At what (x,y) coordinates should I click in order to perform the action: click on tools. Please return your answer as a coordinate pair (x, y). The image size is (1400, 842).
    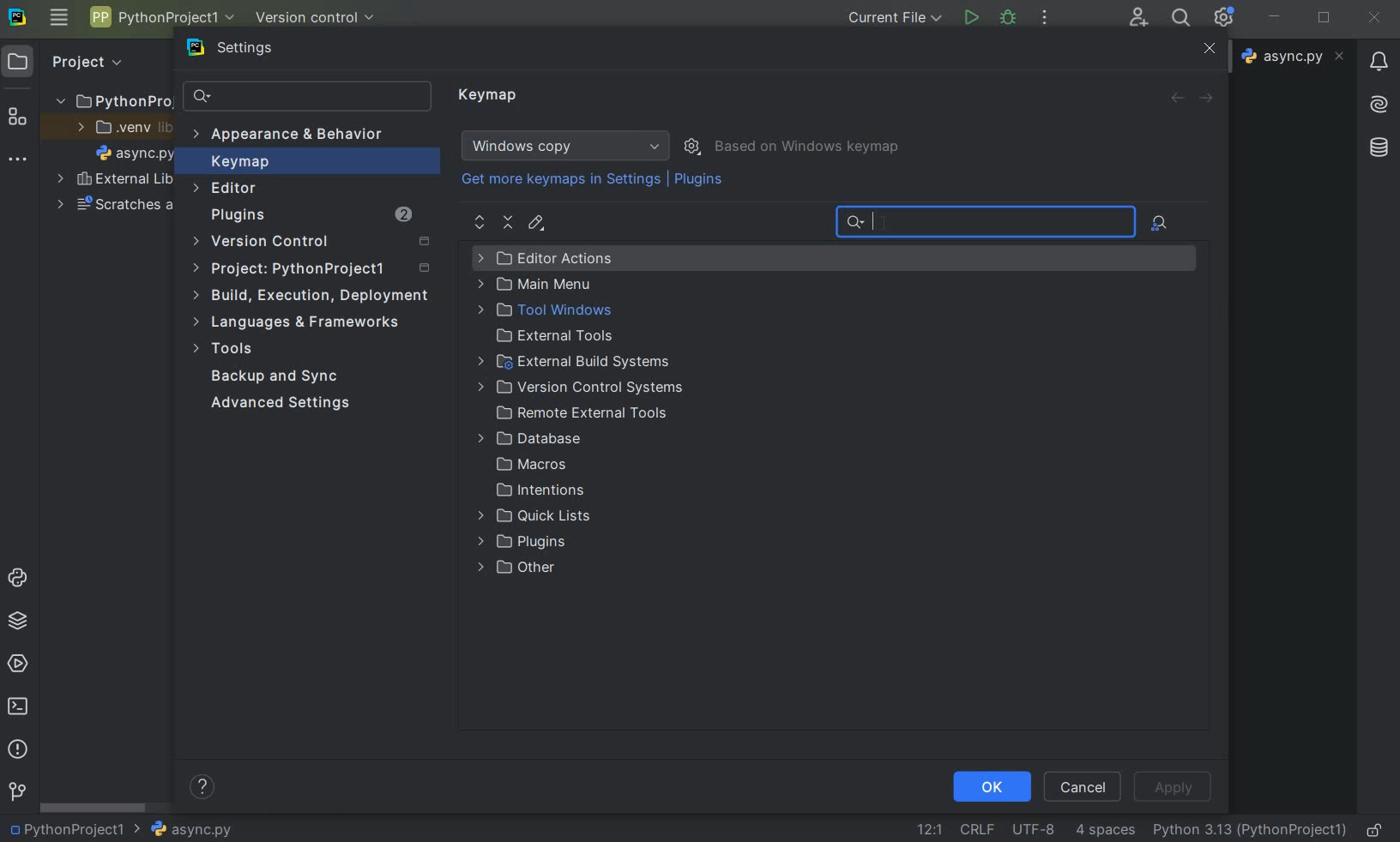
    Looking at the image, I should click on (226, 351).